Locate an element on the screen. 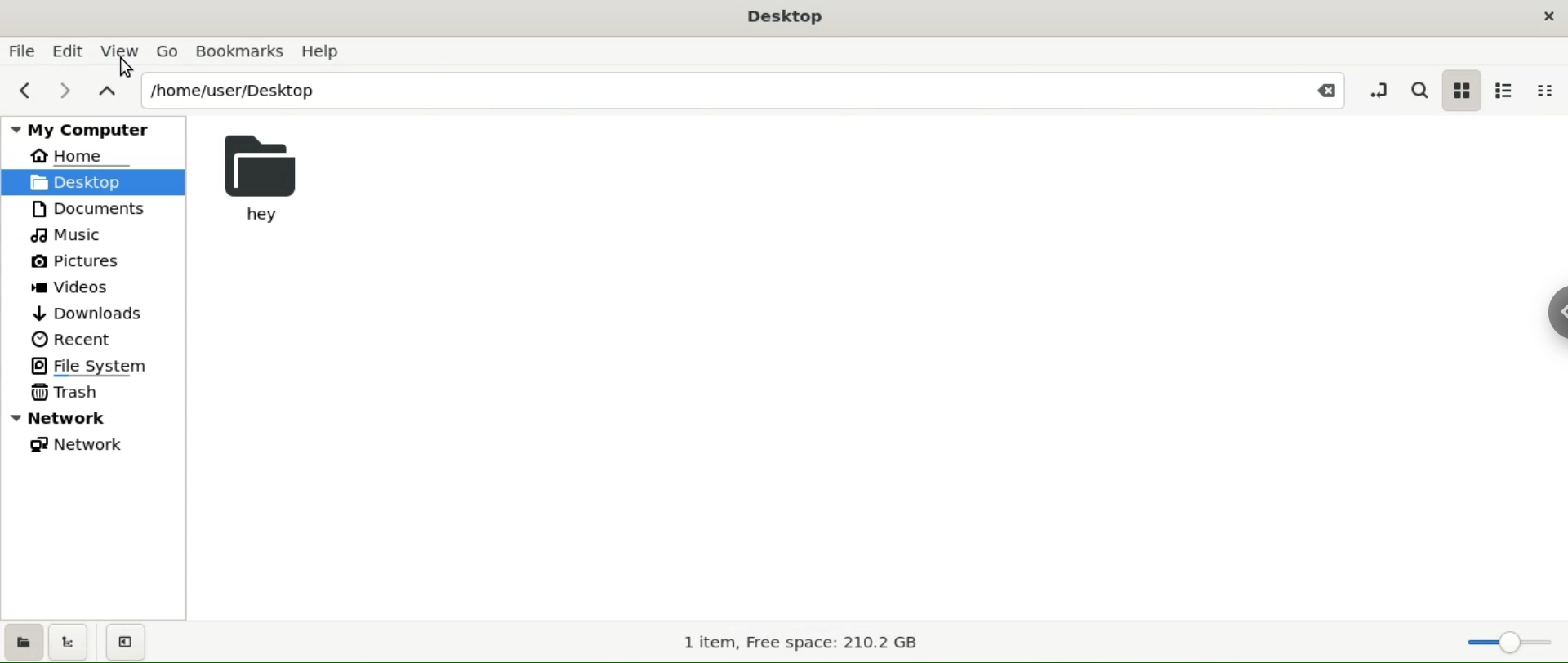  videos is located at coordinates (71, 287).